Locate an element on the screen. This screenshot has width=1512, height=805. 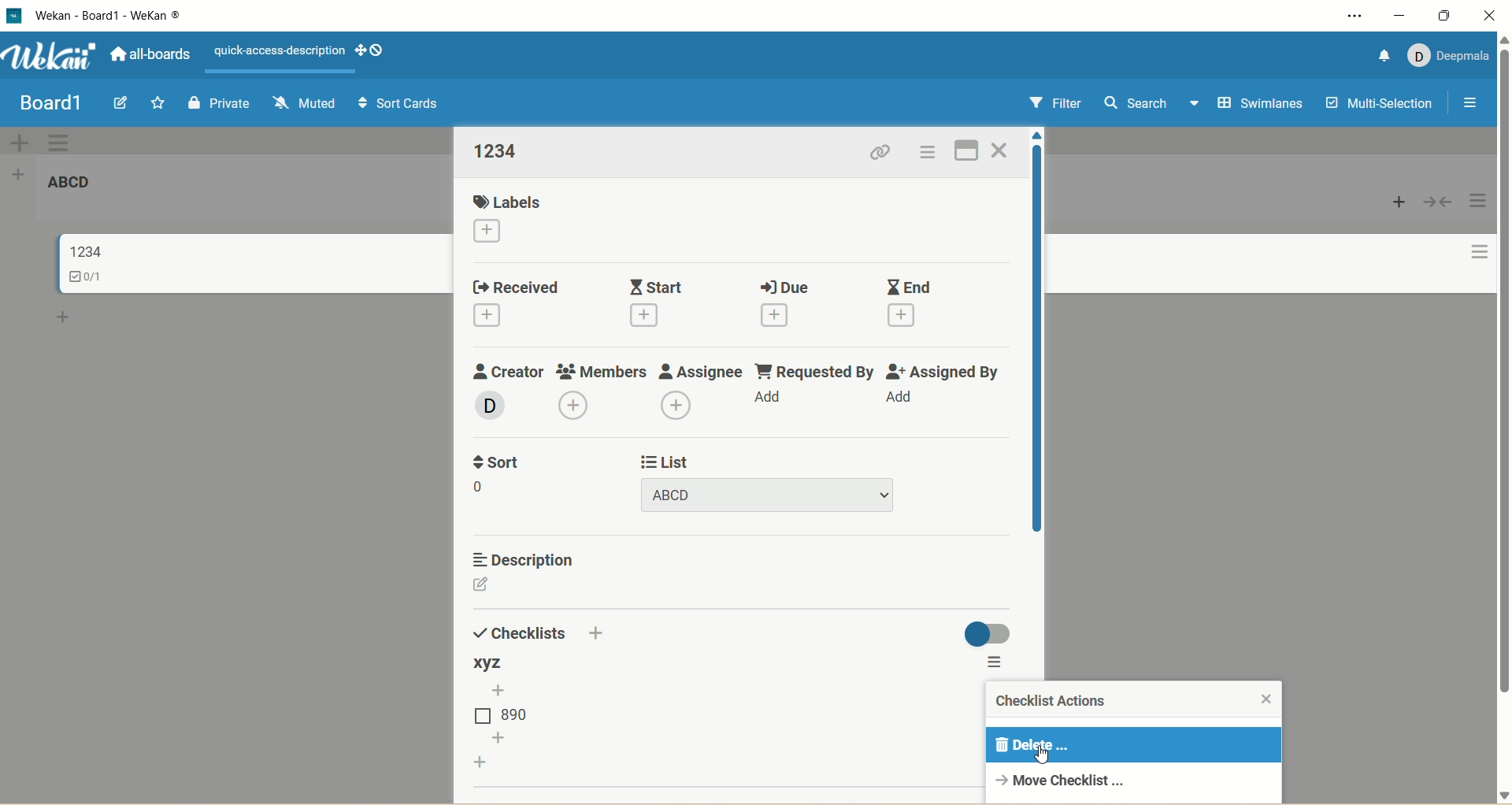
vertical scroll bar is located at coordinates (1043, 343).